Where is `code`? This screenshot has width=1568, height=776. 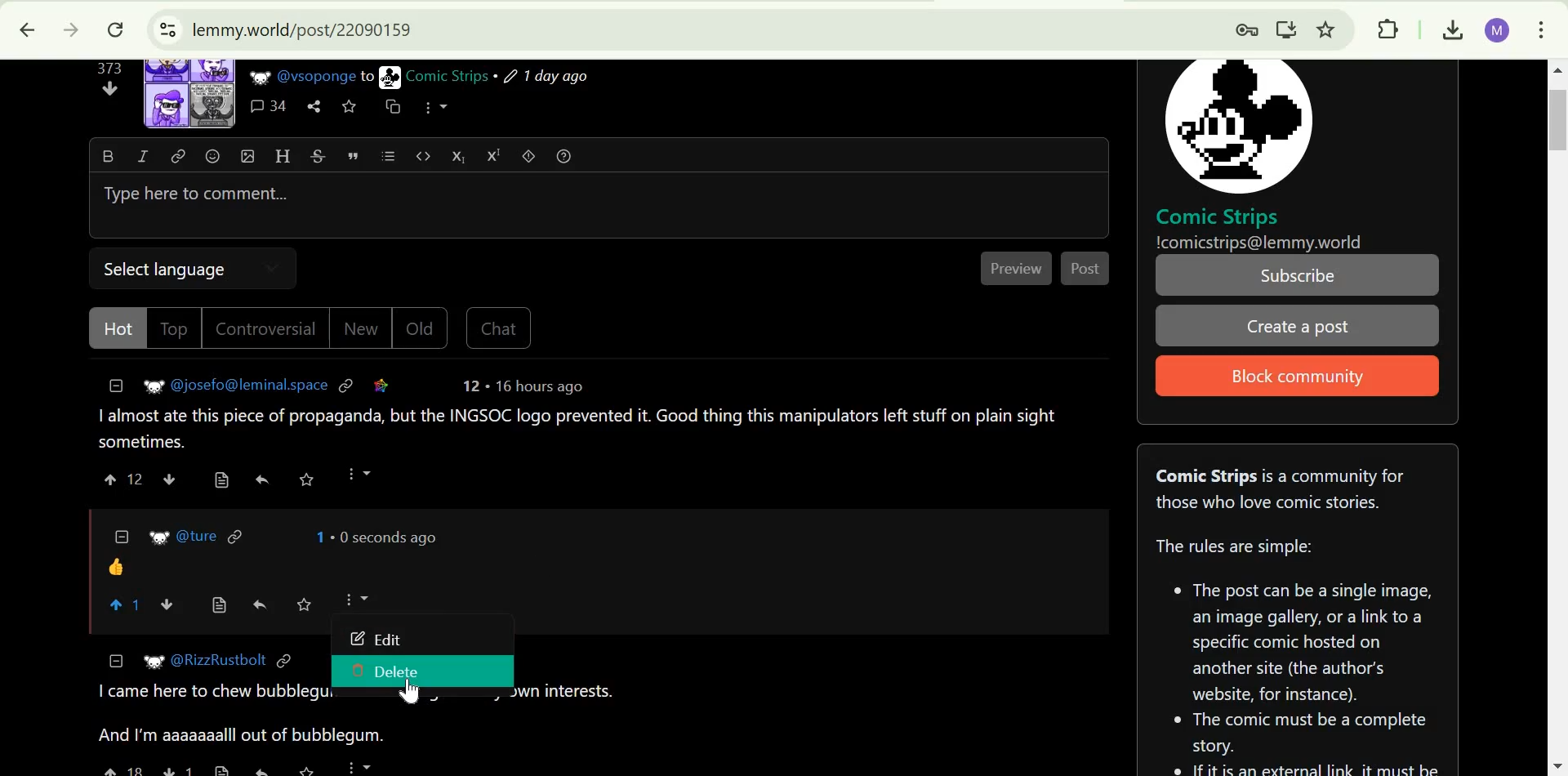 code is located at coordinates (424, 154).